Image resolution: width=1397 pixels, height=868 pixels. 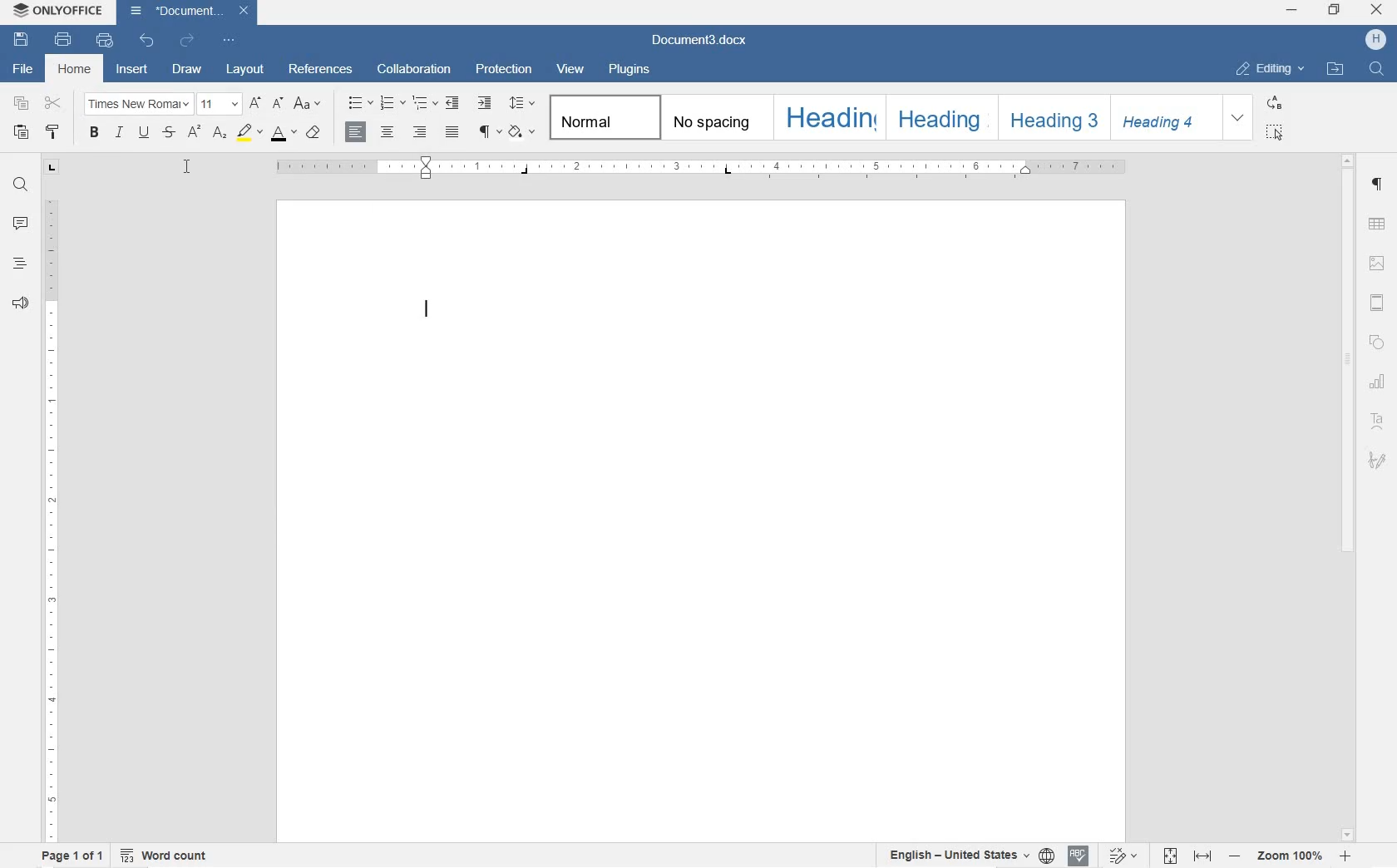 What do you see at coordinates (1350, 496) in the screenshot?
I see `SCROLLBAR` at bounding box center [1350, 496].